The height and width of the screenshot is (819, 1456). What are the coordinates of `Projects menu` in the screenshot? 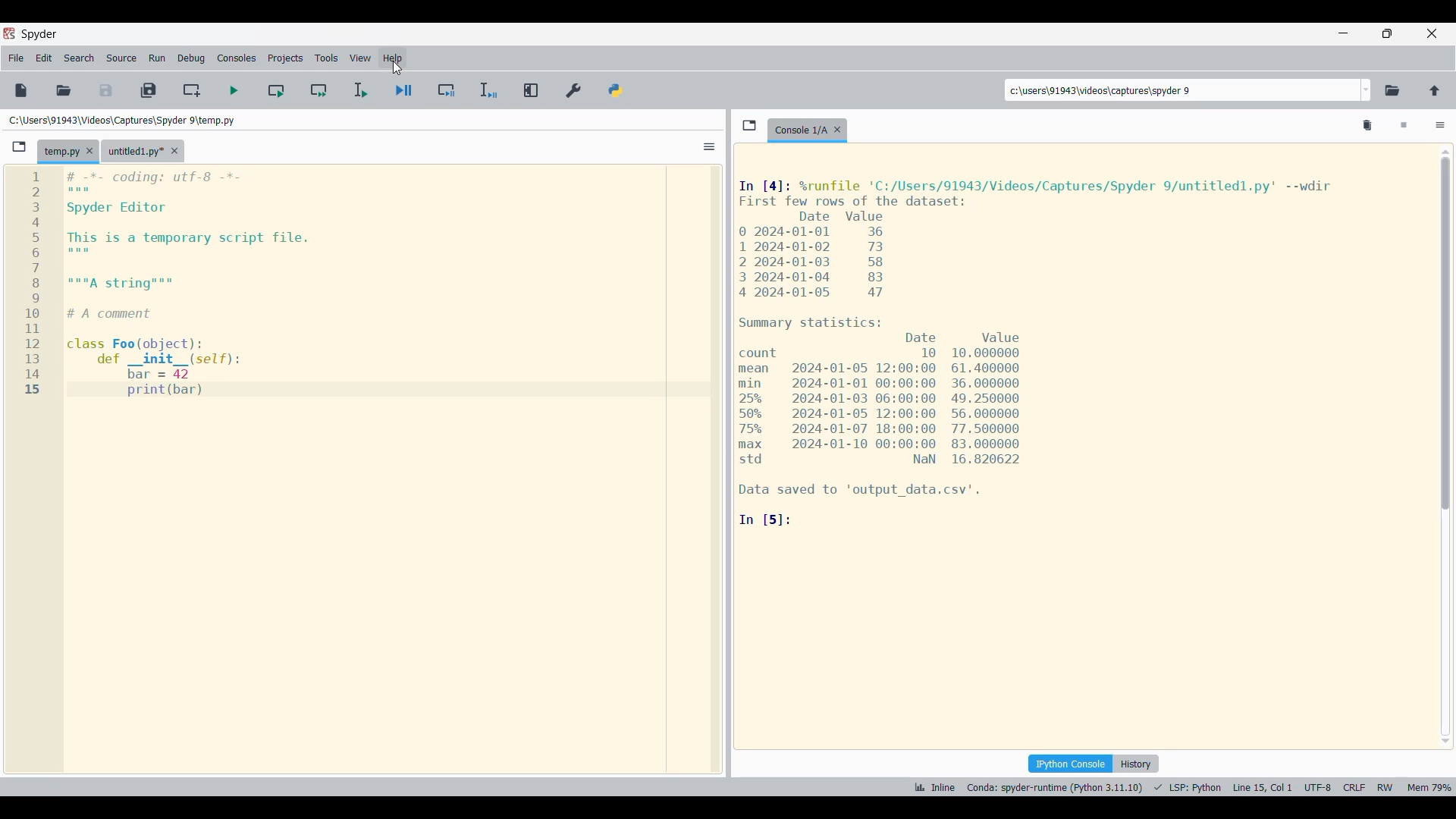 It's located at (285, 58).